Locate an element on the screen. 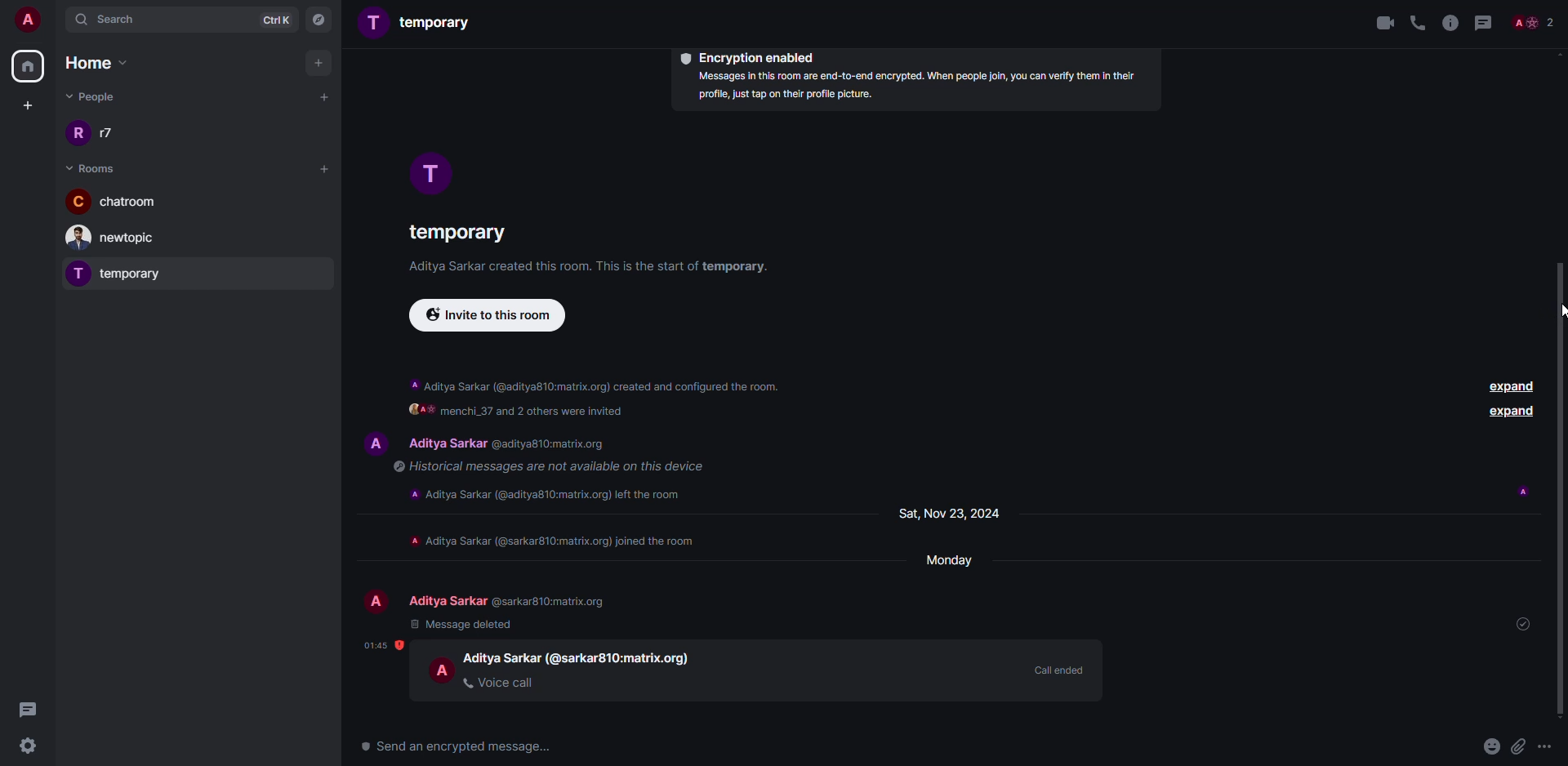 This screenshot has height=766, width=1568. profile is located at coordinates (441, 169).